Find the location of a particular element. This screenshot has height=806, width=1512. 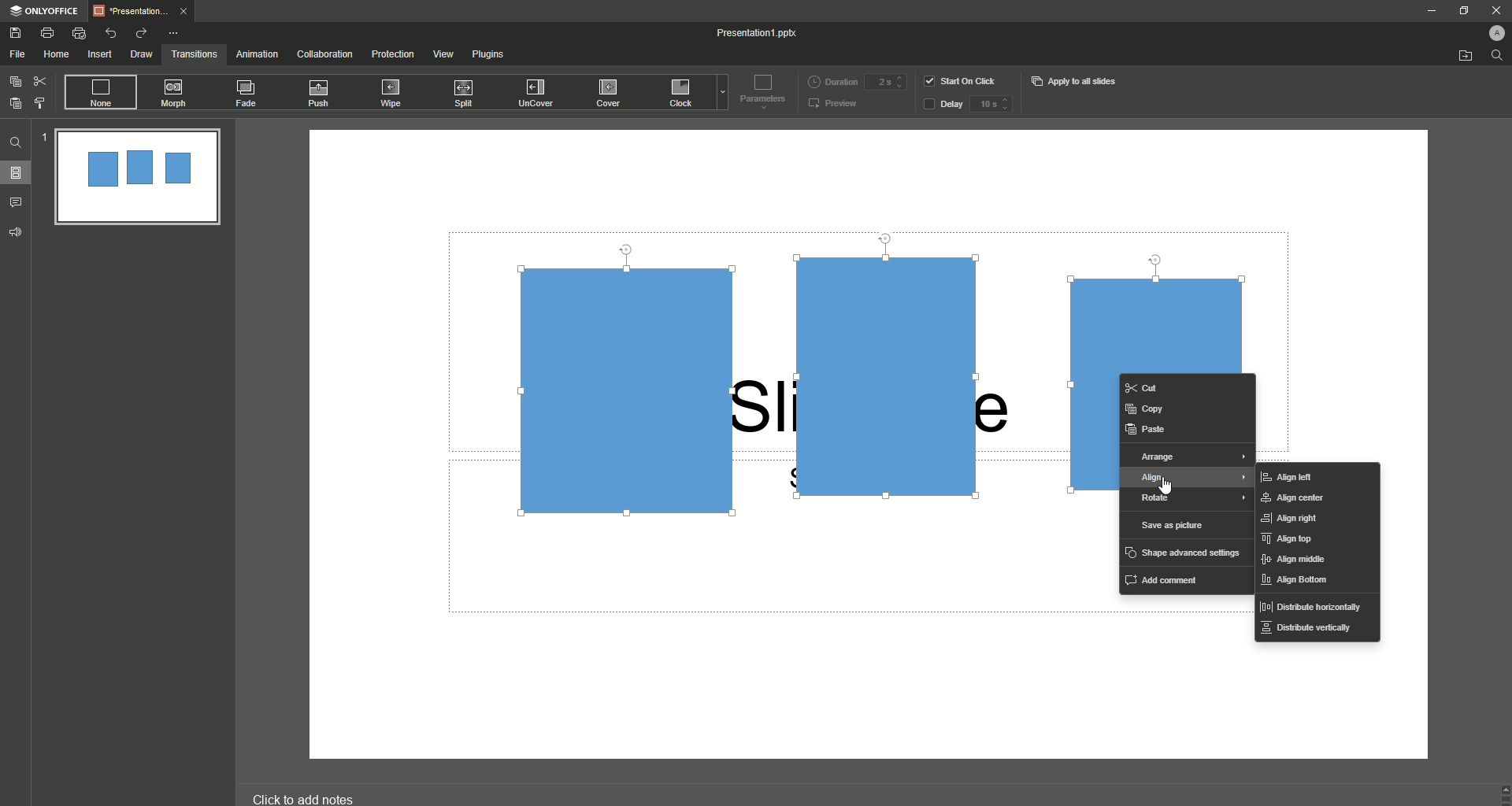

Home is located at coordinates (57, 55).